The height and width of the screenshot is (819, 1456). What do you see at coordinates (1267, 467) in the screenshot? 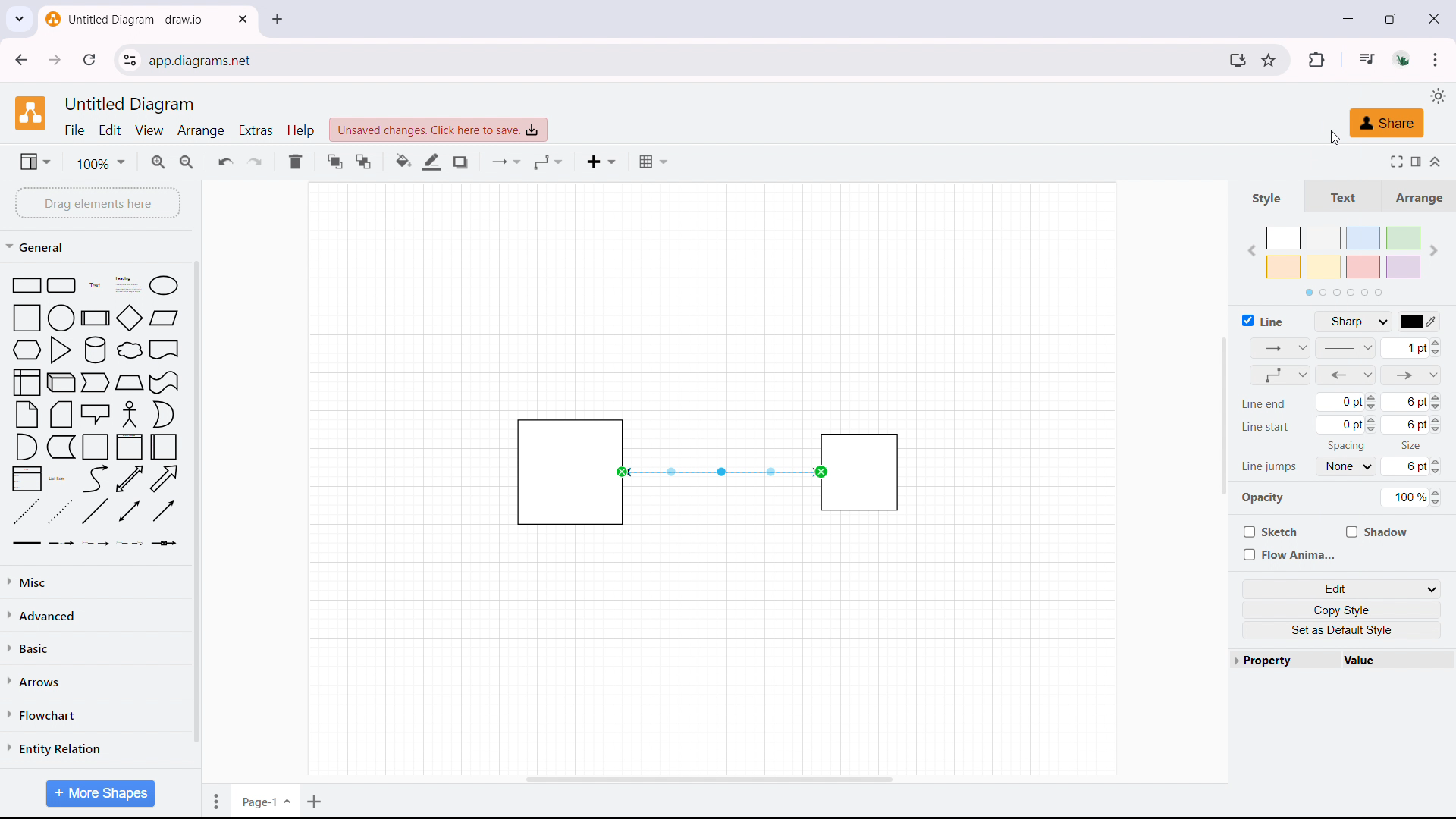
I see `Line jumps` at bounding box center [1267, 467].